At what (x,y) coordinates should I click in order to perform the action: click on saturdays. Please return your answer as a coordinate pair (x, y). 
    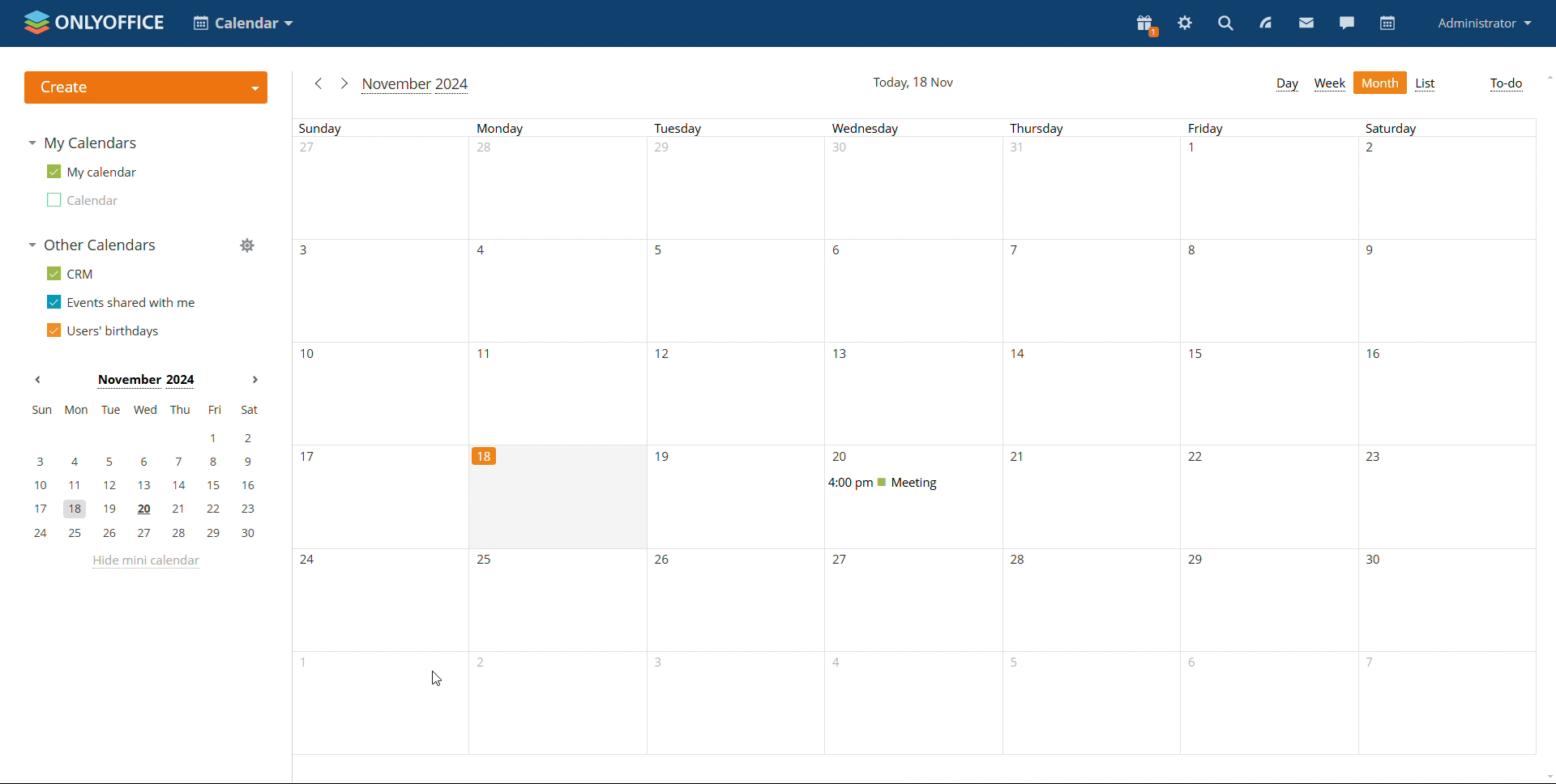
    Looking at the image, I should click on (1447, 436).